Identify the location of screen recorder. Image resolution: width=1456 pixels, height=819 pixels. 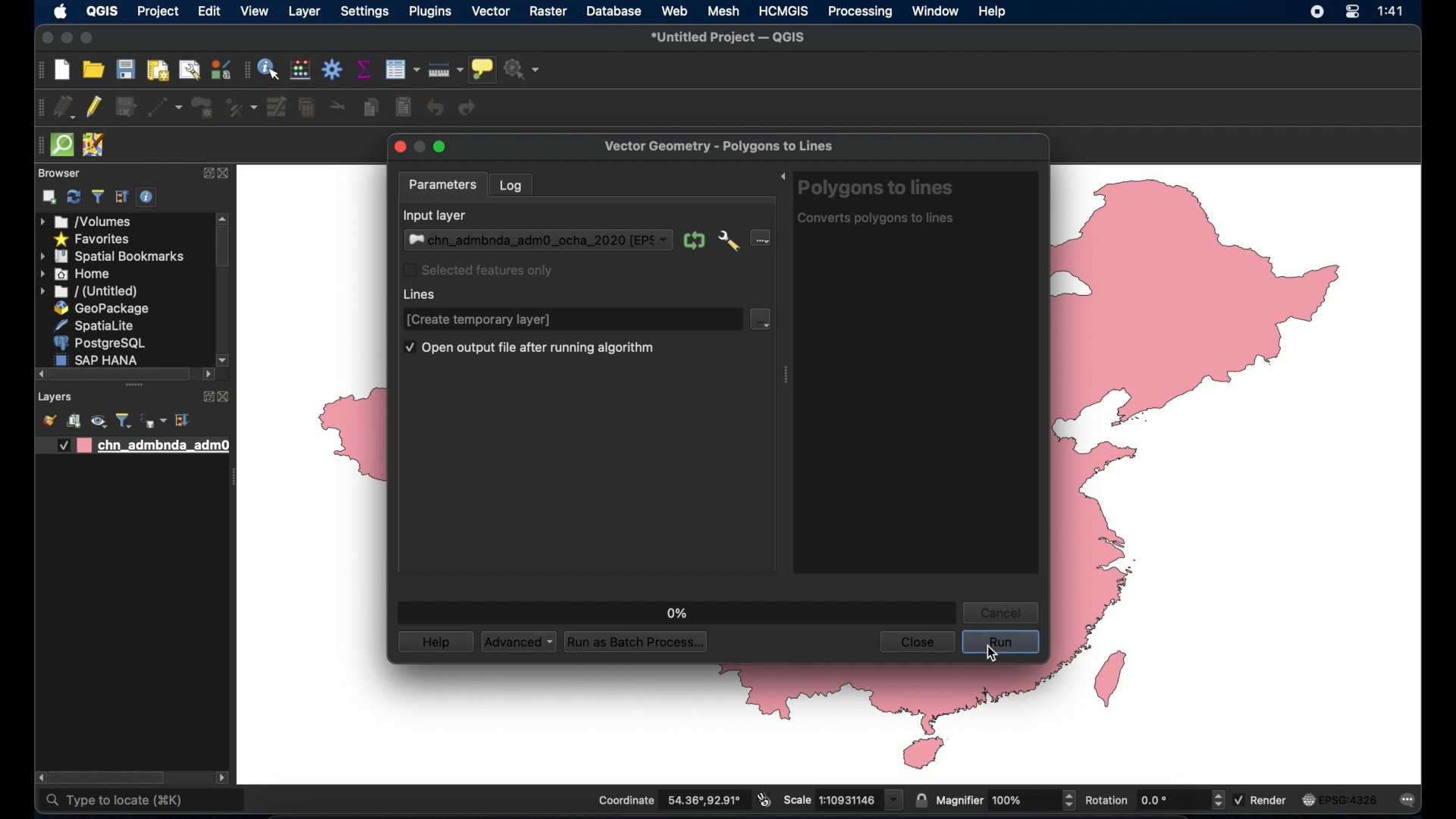
(1316, 13).